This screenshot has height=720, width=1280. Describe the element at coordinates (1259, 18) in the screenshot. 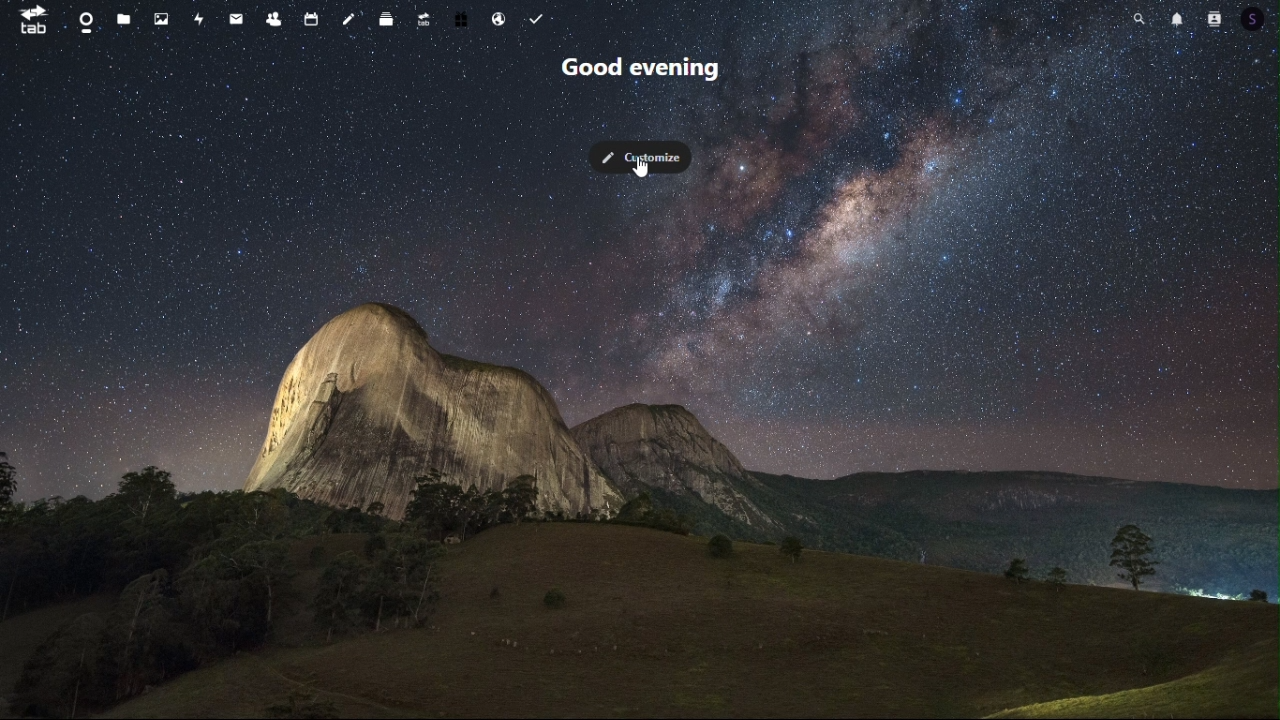

I see `Account icon` at that location.